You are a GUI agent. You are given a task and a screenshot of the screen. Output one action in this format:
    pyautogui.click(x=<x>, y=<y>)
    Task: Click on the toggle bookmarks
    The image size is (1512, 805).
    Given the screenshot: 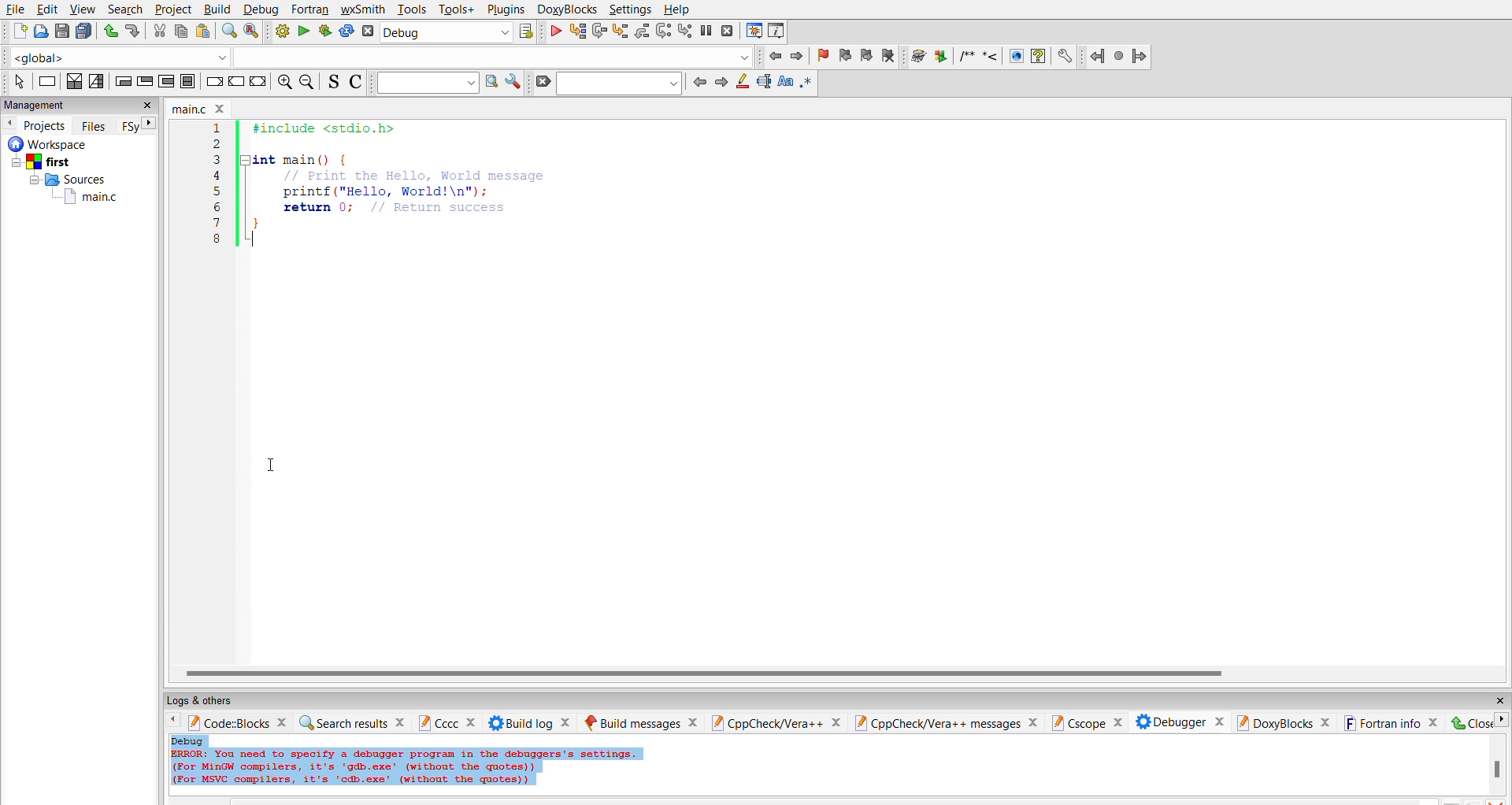 What is the action you would take?
    pyautogui.click(x=822, y=57)
    